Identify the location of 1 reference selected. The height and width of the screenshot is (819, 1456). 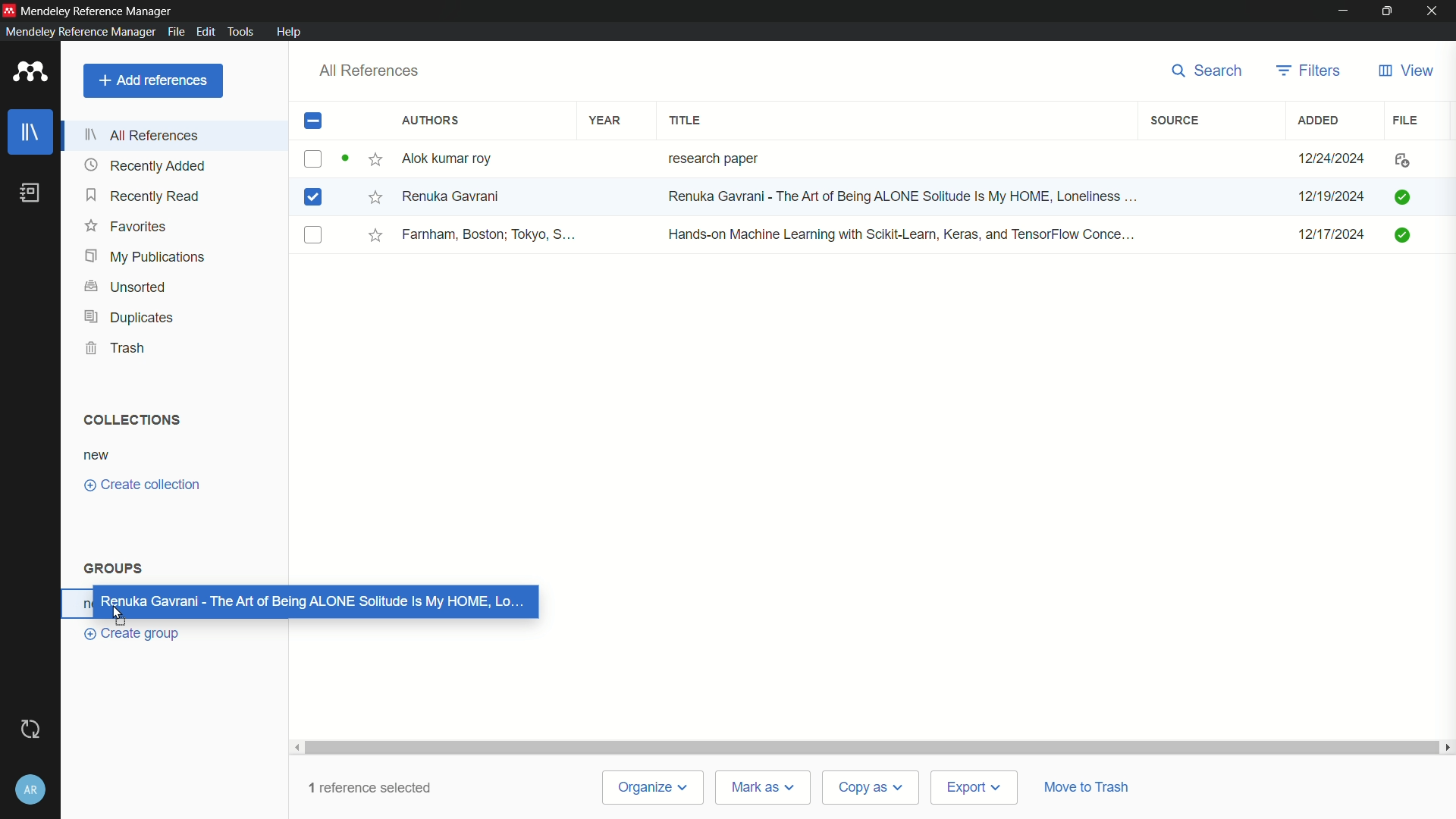
(381, 784).